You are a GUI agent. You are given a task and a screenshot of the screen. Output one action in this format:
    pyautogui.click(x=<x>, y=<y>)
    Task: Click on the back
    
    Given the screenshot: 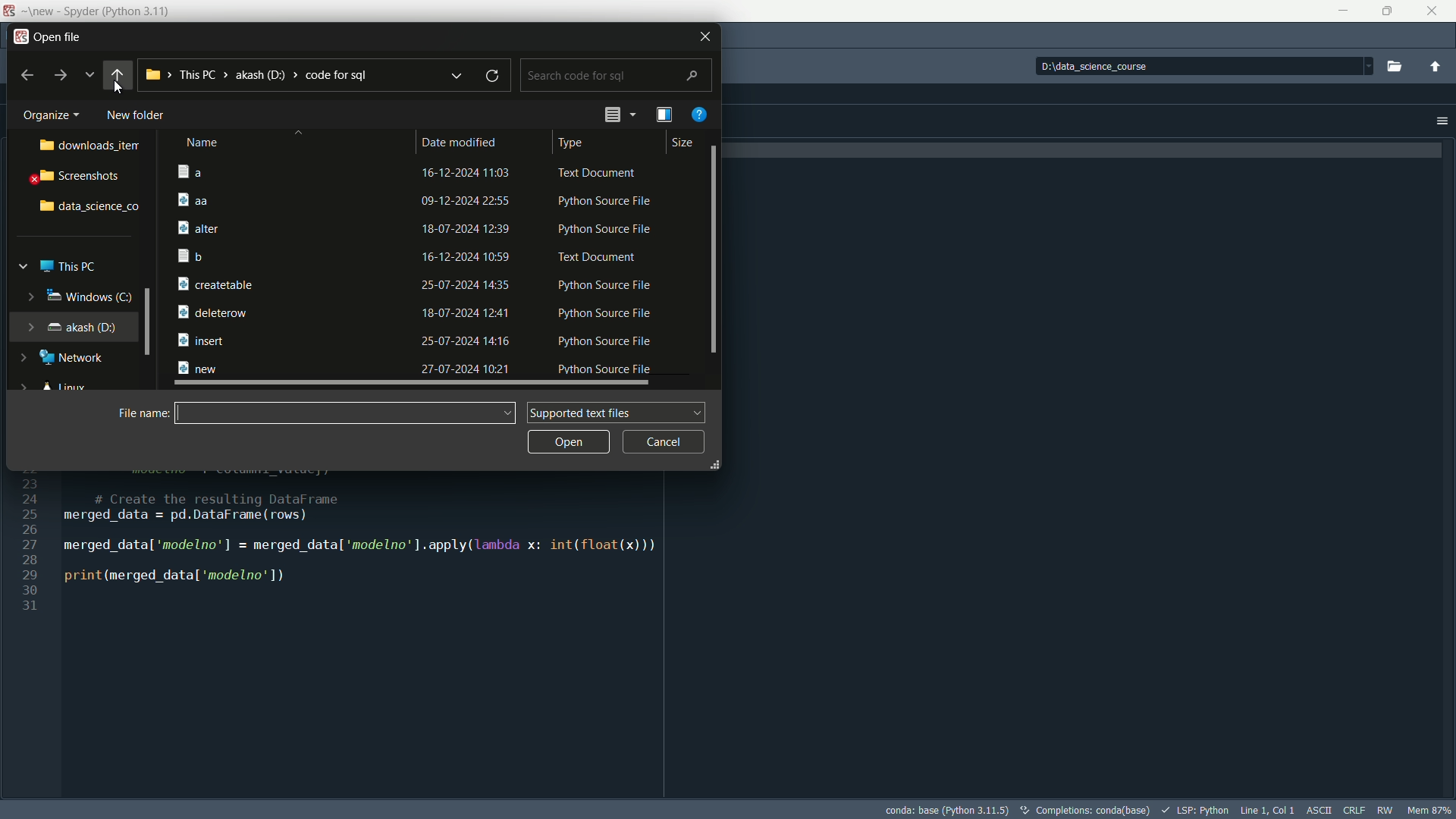 What is the action you would take?
    pyautogui.click(x=117, y=76)
    